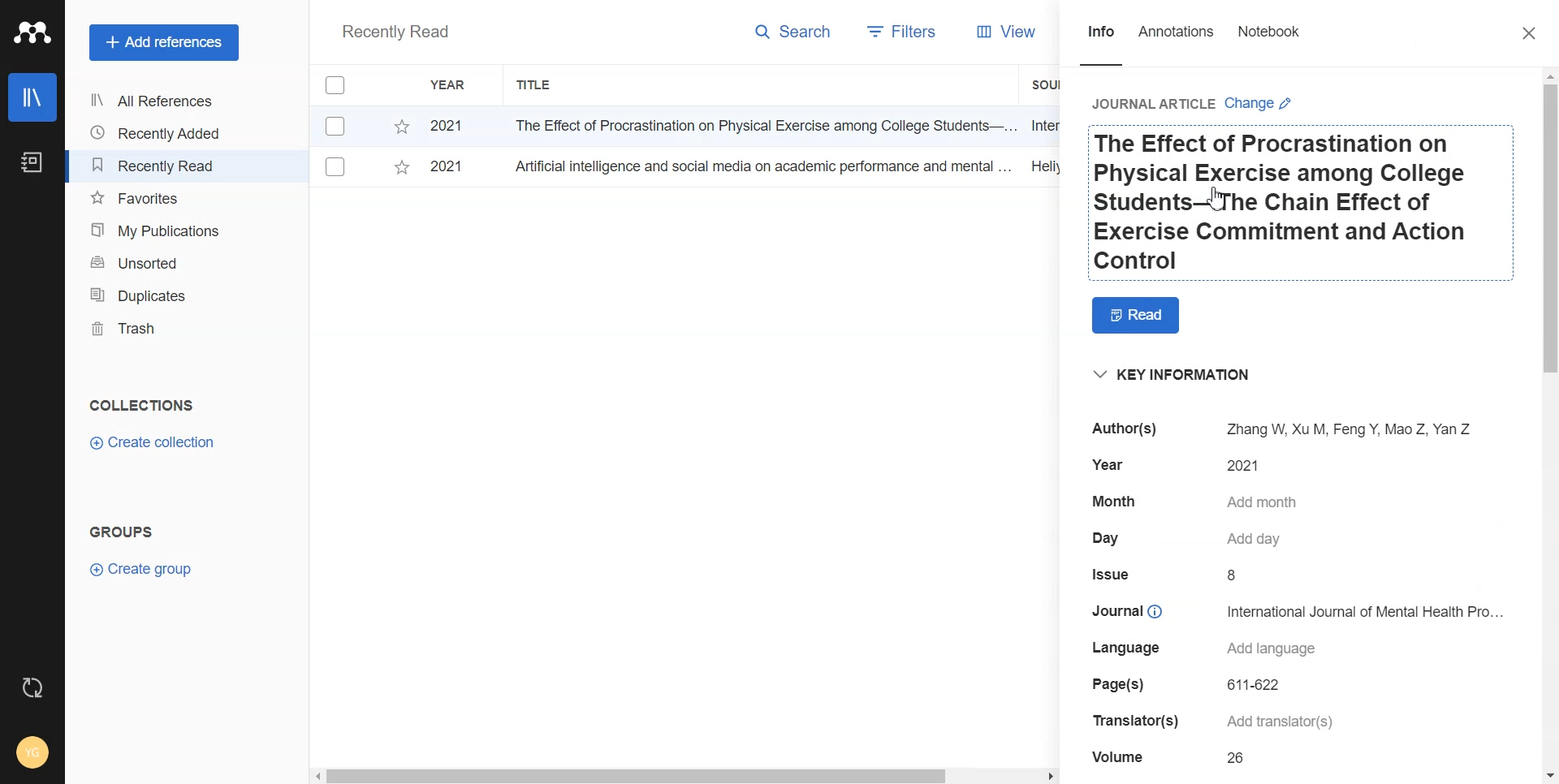 The height and width of the screenshot is (784, 1559). What do you see at coordinates (32, 32) in the screenshot?
I see `Logo` at bounding box center [32, 32].